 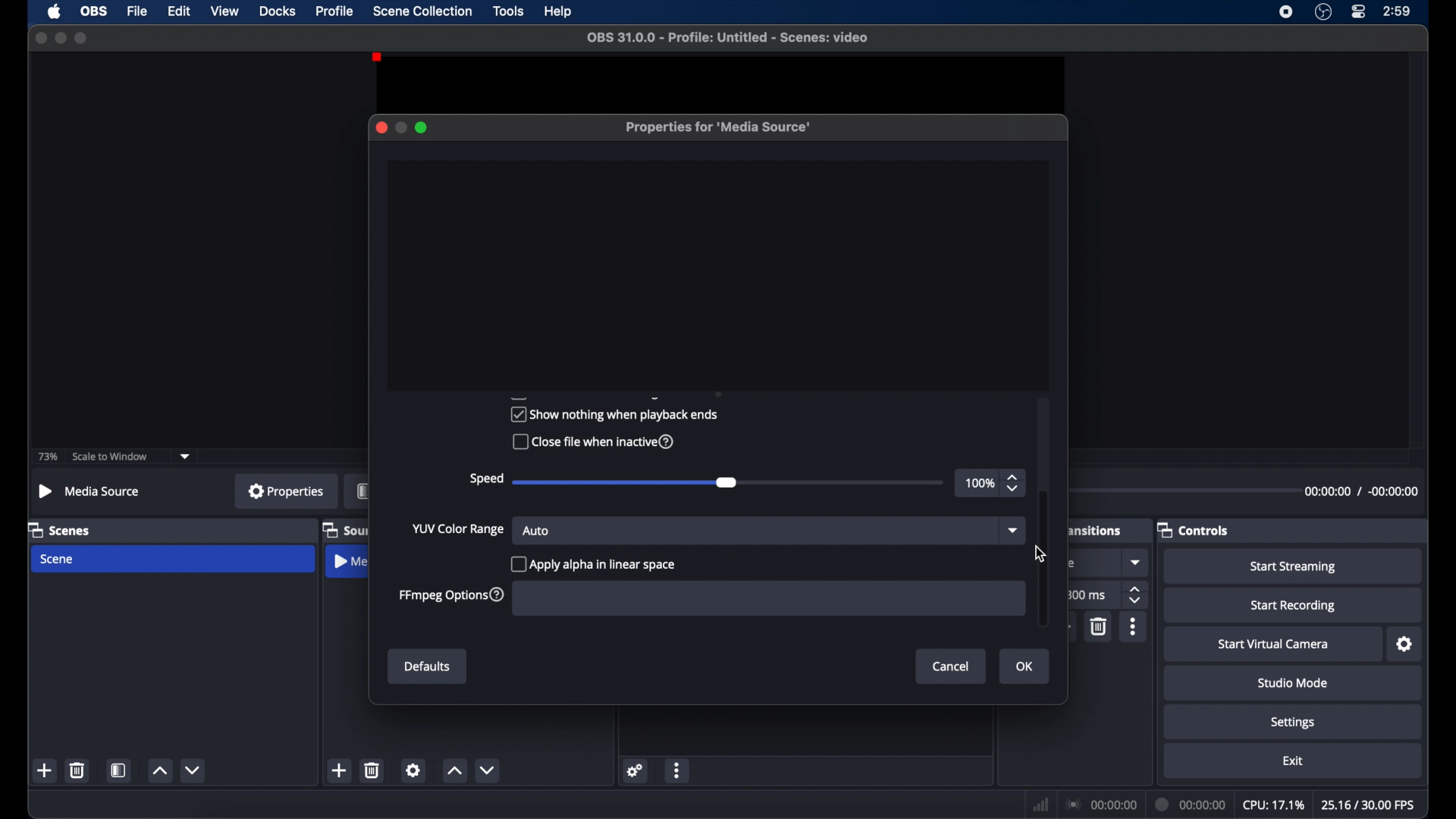 What do you see at coordinates (428, 667) in the screenshot?
I see `defaults` at bounding box center [428, 667].